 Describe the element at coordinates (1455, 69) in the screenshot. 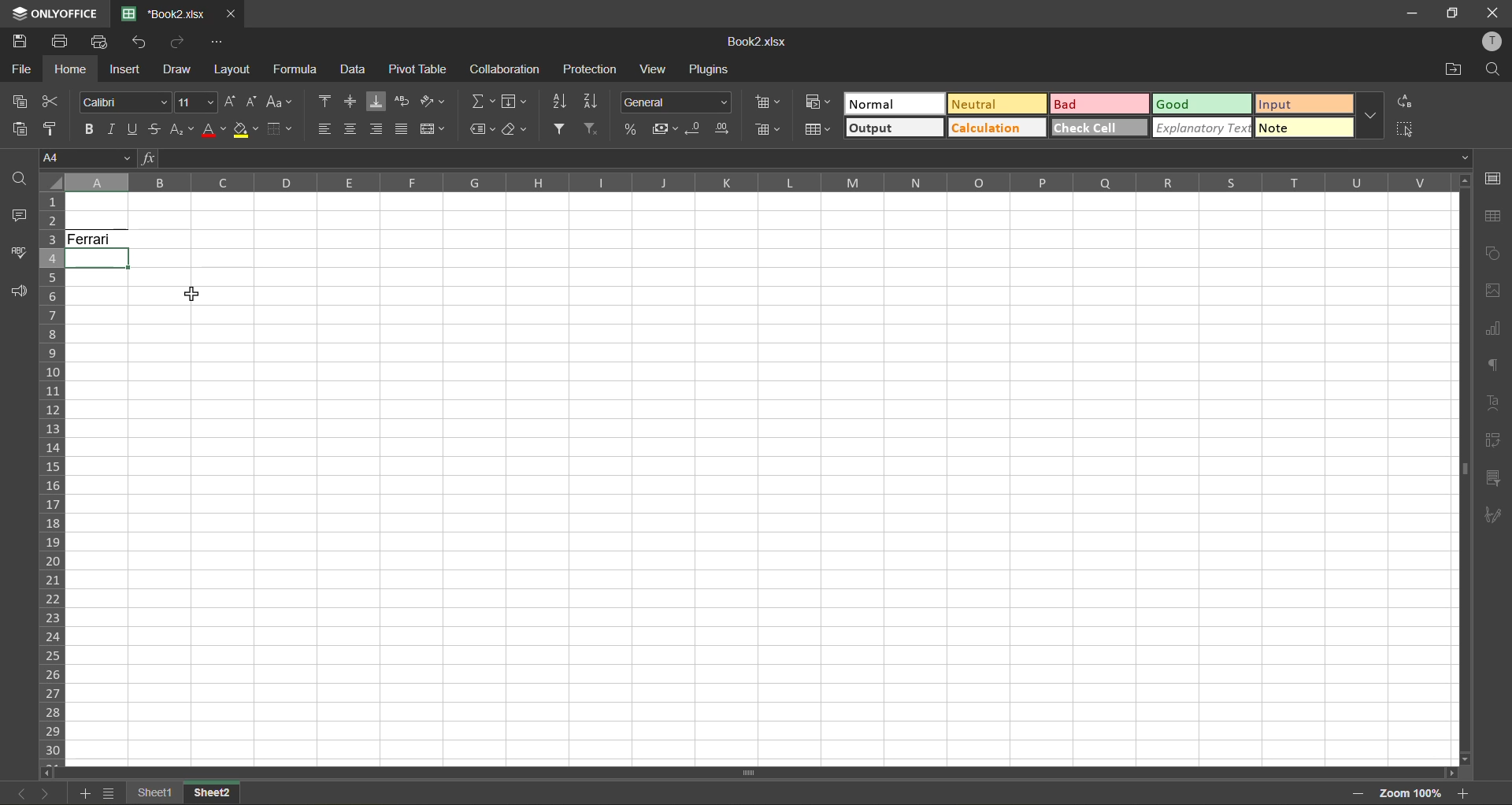

I see `open location` at that location.